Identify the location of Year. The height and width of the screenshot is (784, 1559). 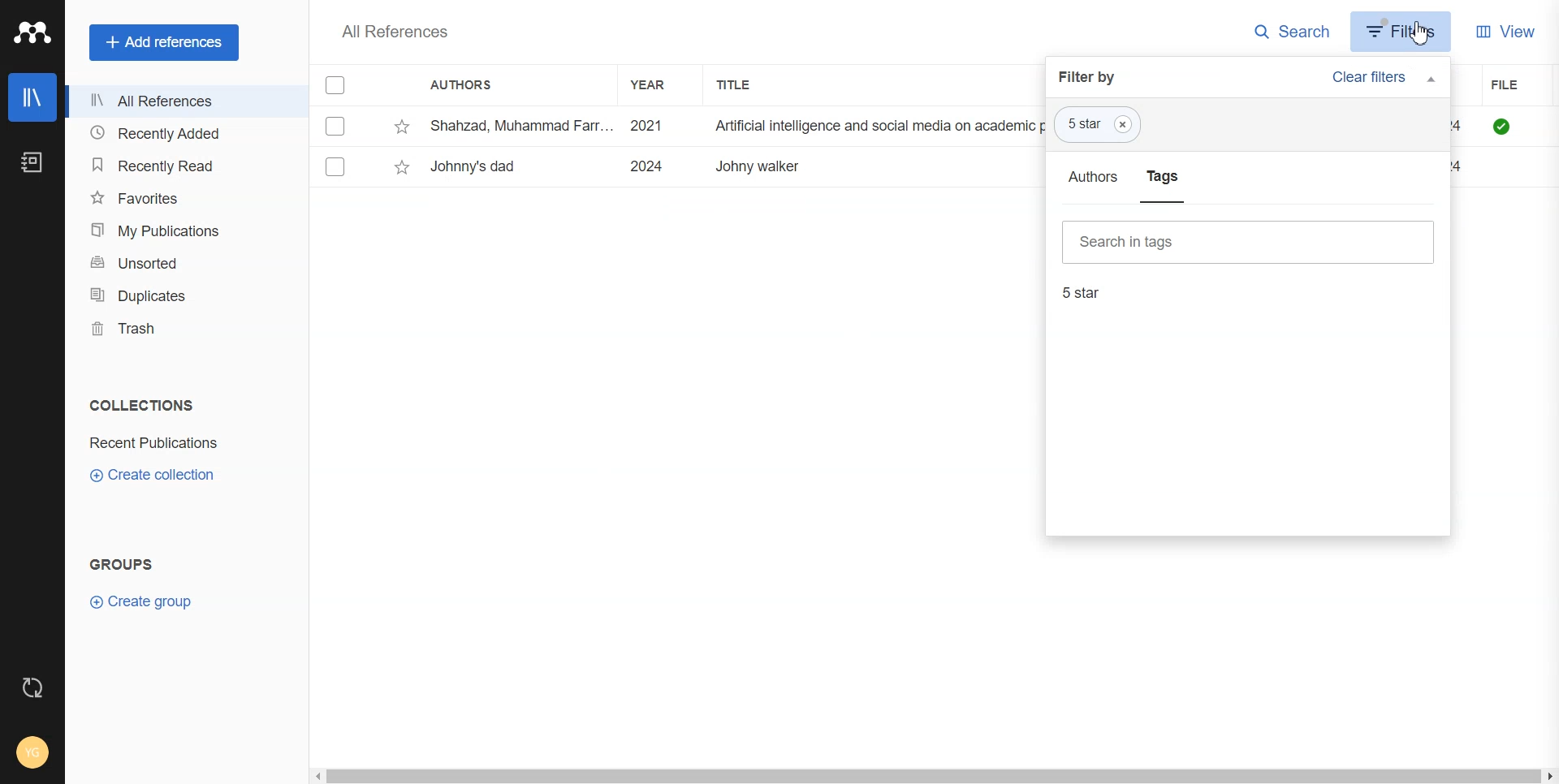
(655, 84).